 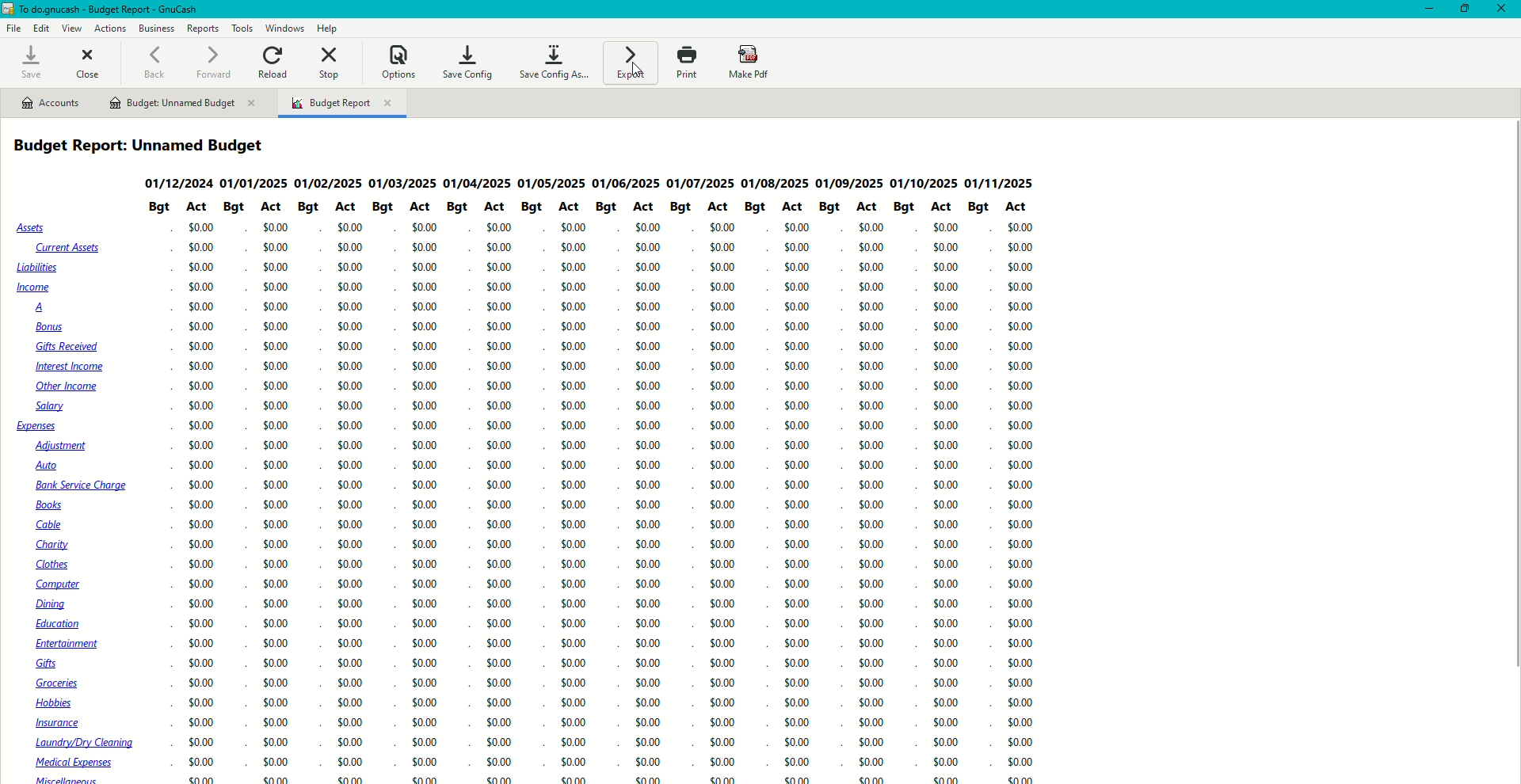 What do you see at coordinates (350, 385) in the screenshot?
I see `$0.00` at bounding box center [350, 385].